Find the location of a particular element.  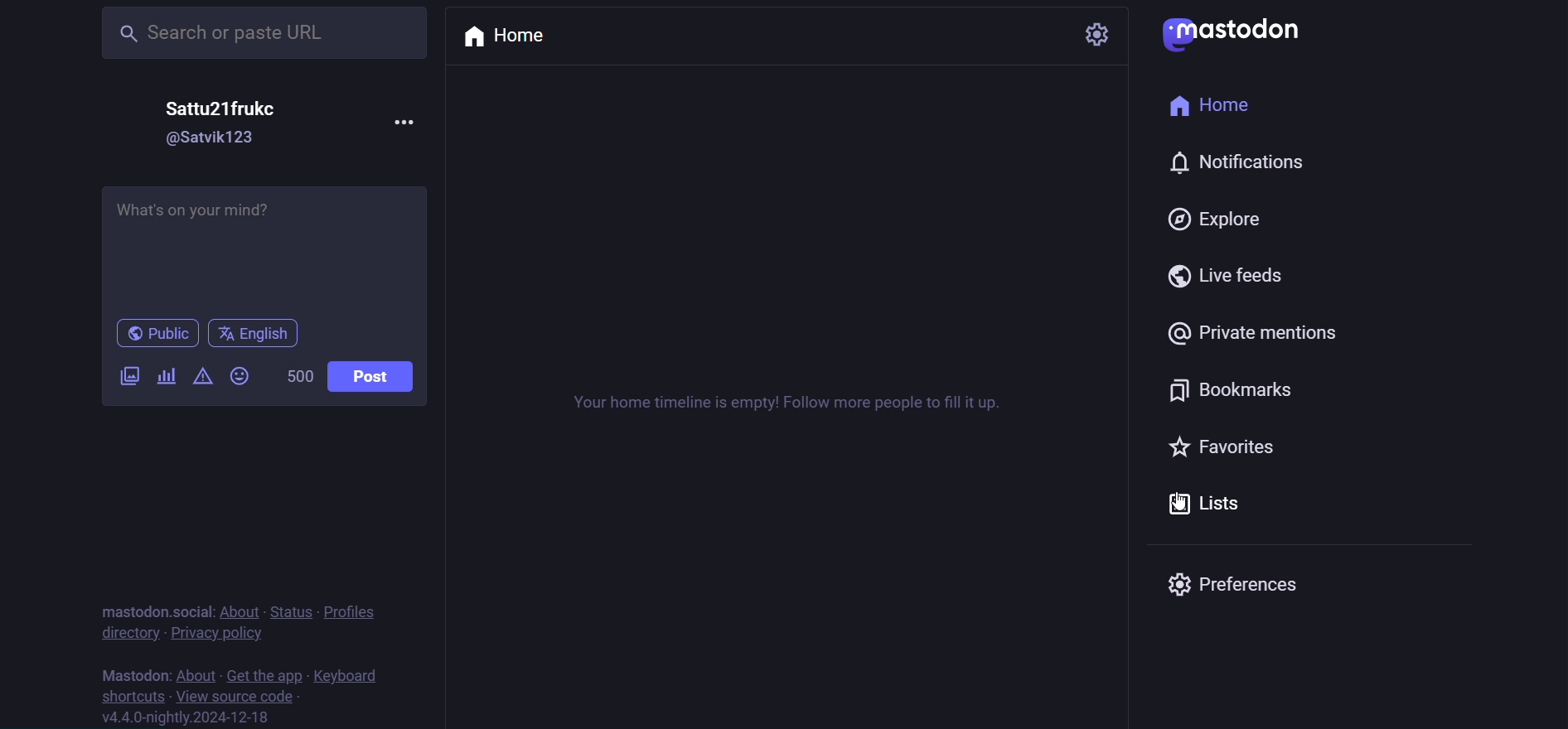

home is located at coordinates (512, 36).